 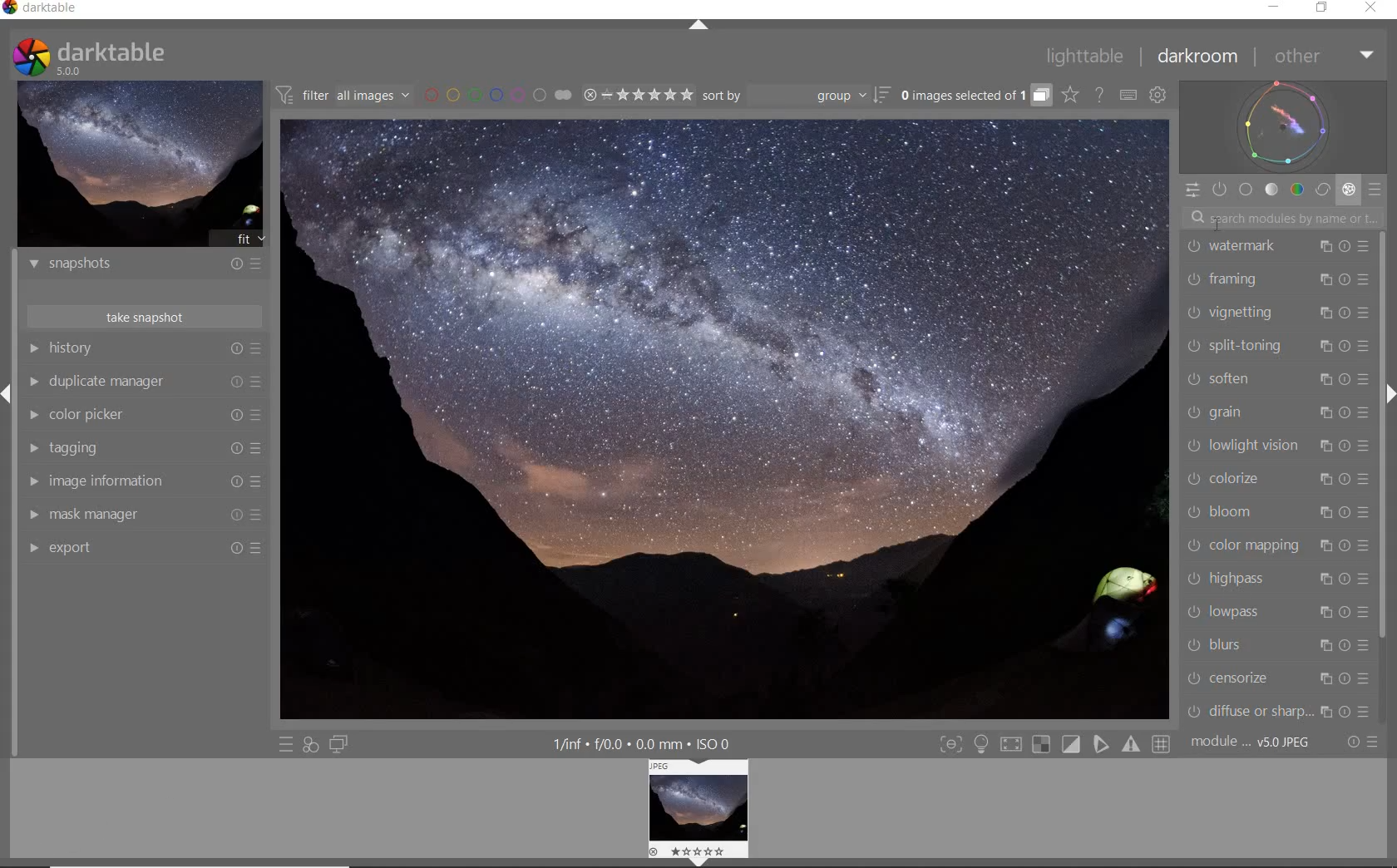 I want to click on CLICK TO CHANGE THE OVERLAYS SHOWN ON THUMBNAILS, so click(x=1071, y=96).